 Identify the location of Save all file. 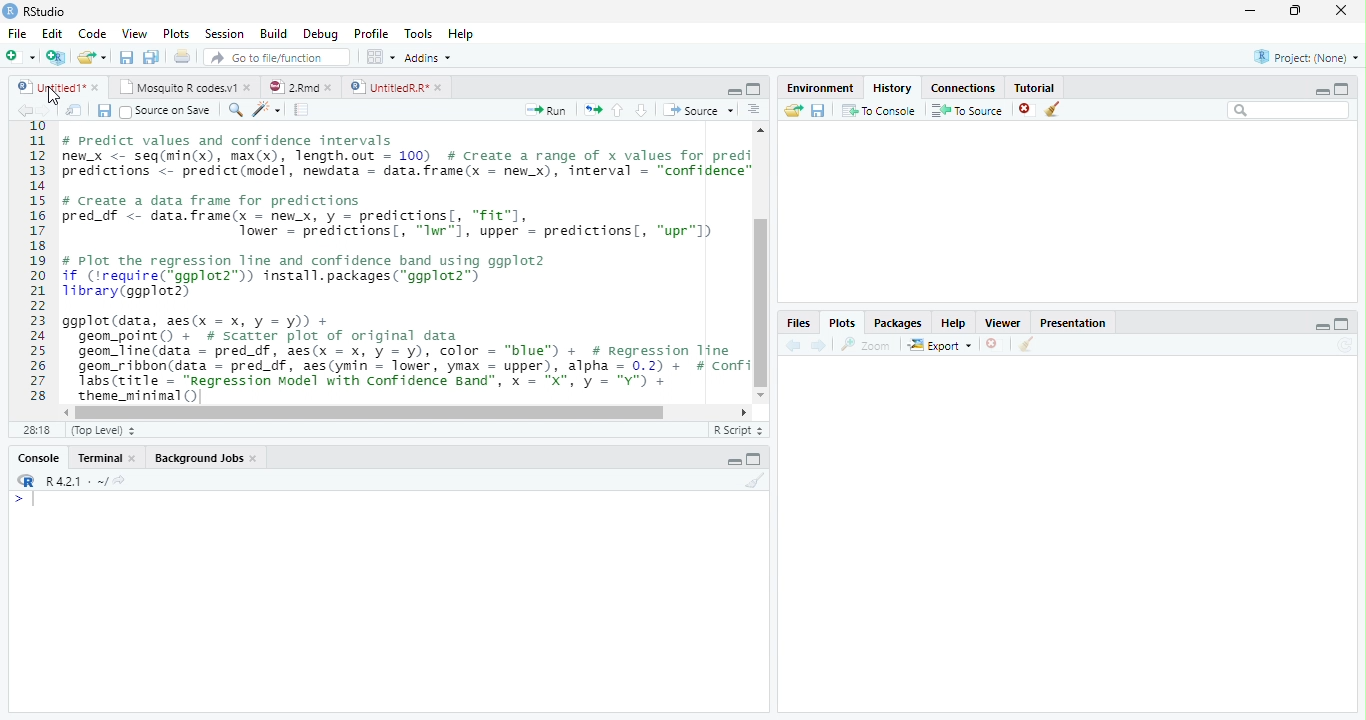
(150, 58).